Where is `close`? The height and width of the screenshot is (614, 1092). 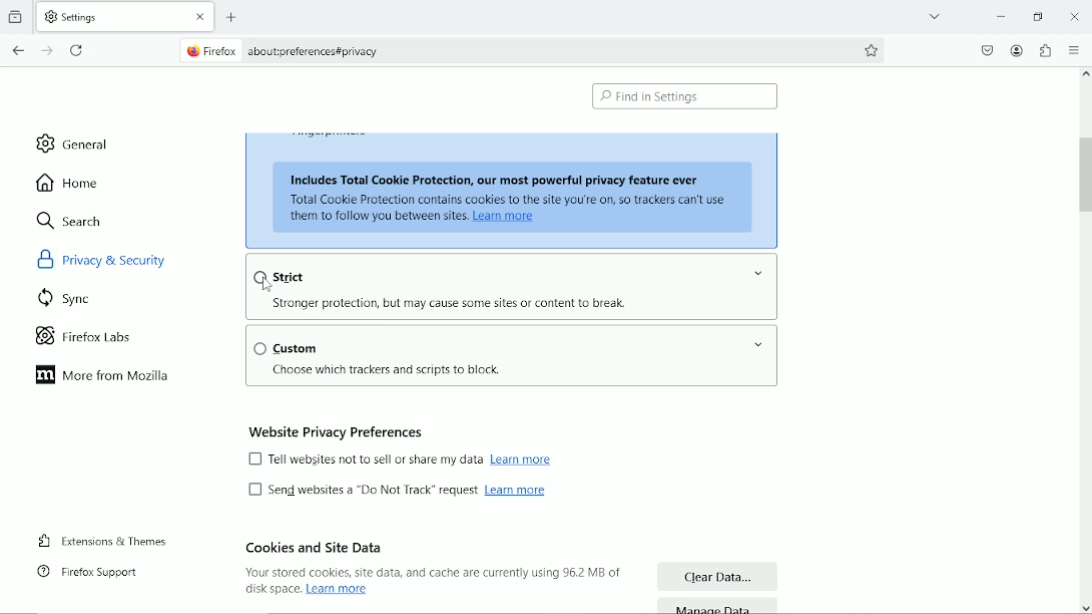 close is located at coordinates (202, 16).